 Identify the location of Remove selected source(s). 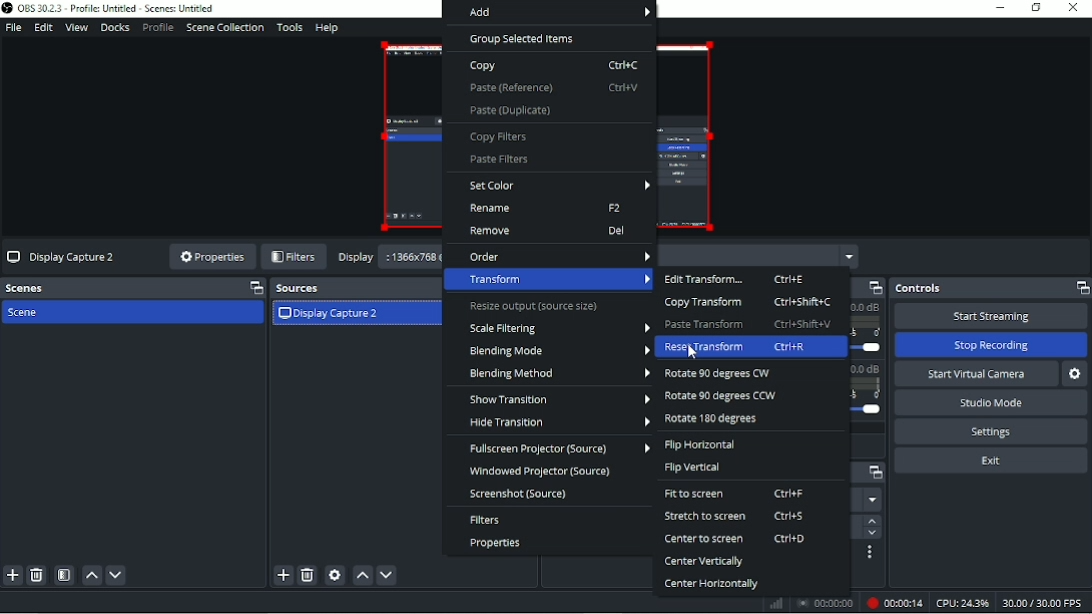
(307, 576).